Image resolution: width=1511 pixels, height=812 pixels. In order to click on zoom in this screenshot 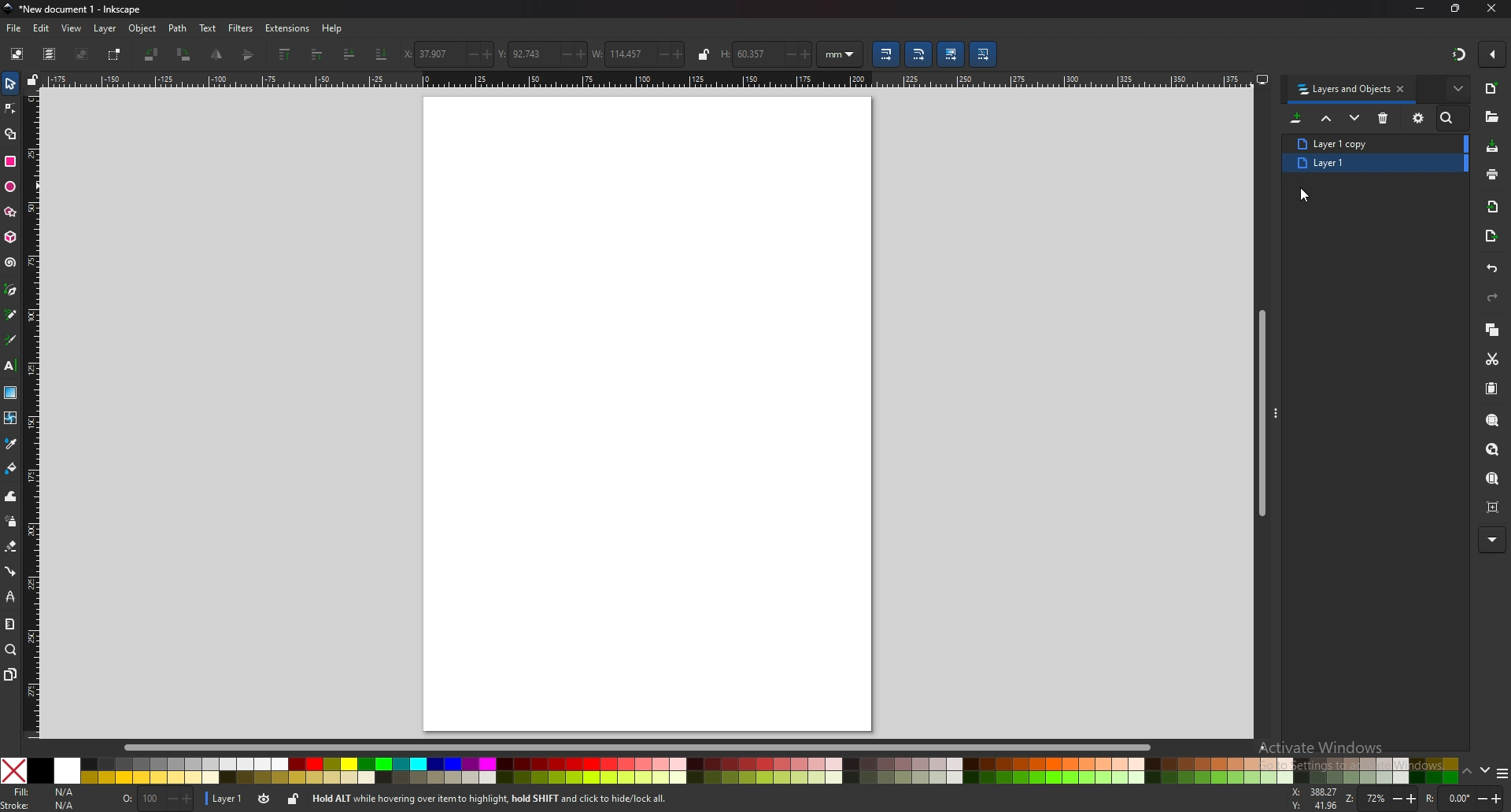, I will do `click(11, 650)`.